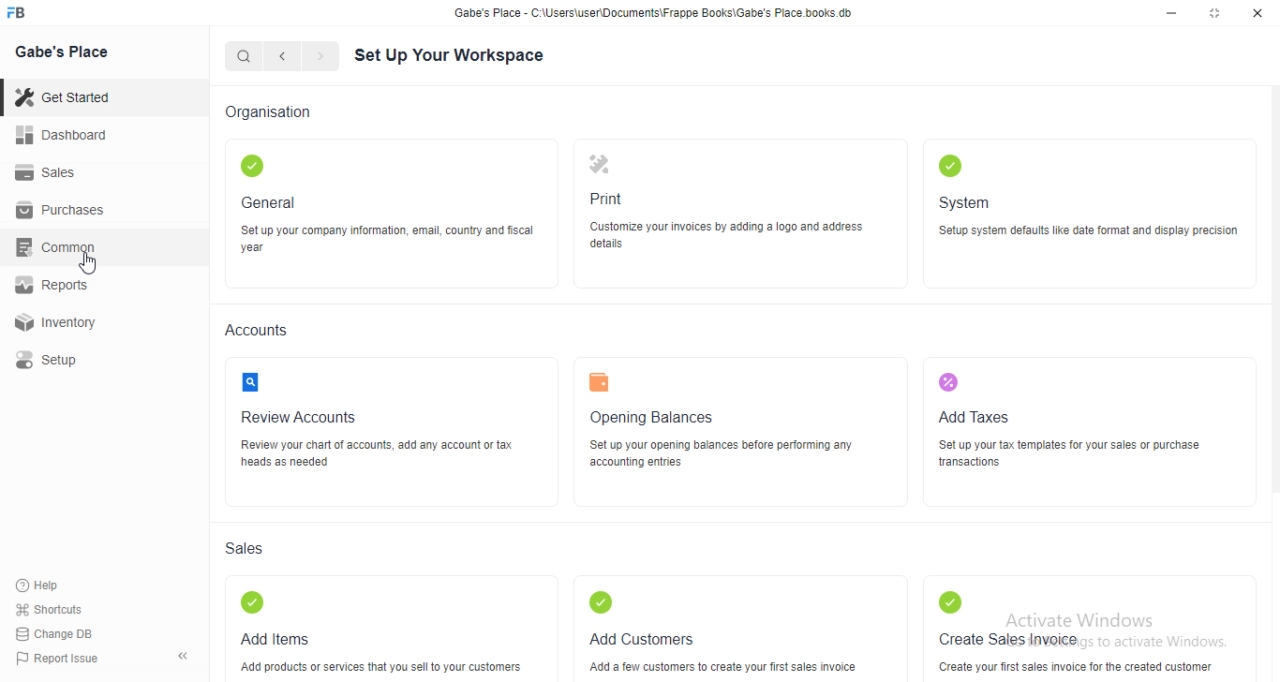 This screenshot has width=1280, height=682. What do you see at coordinates (243, 549) in the screenshot?
I see `Sales` at bounding box center [243, 549].